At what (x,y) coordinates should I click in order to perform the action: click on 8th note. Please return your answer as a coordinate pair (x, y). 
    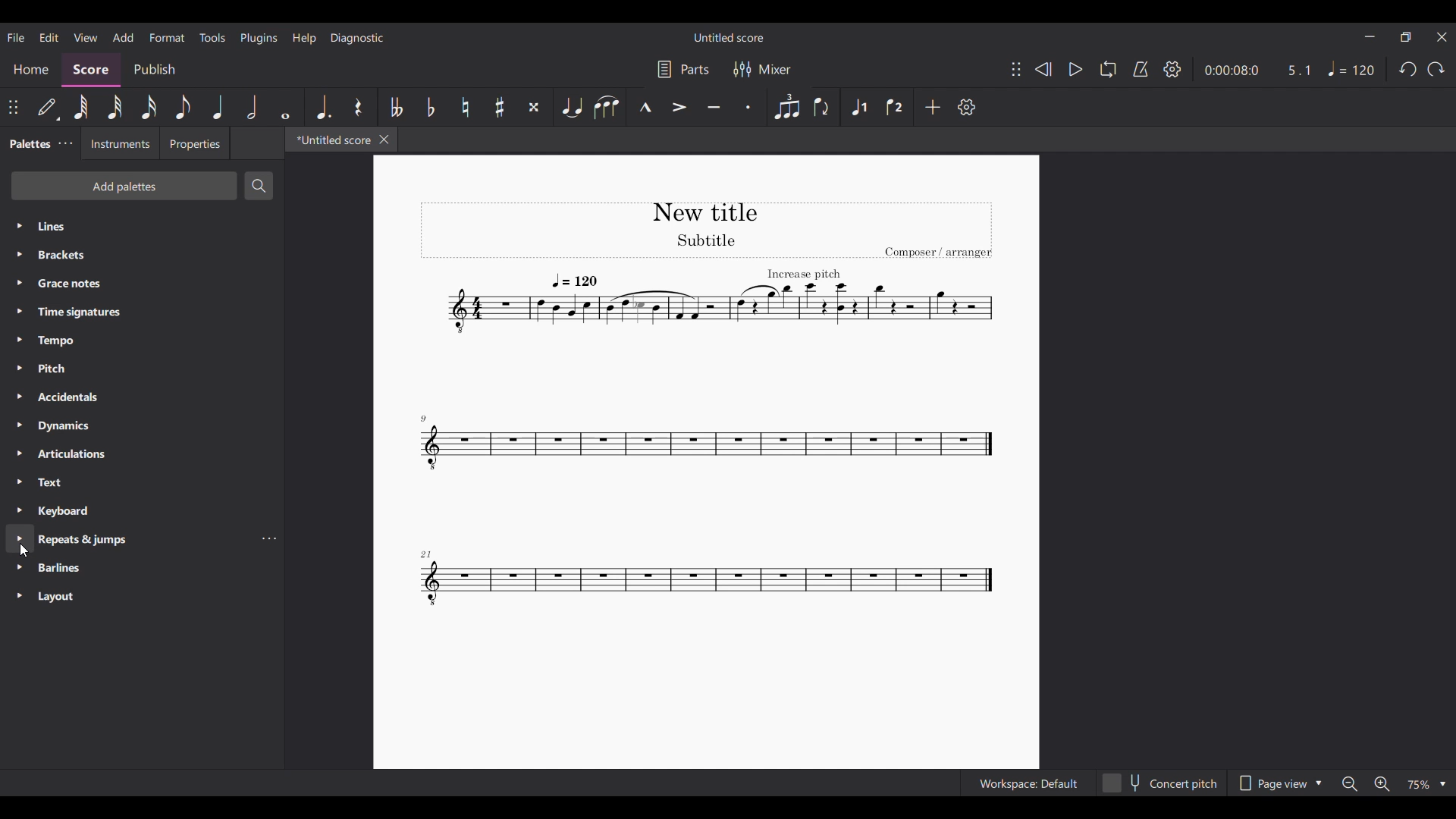
    Looking at the image, I should click on (184, 107).